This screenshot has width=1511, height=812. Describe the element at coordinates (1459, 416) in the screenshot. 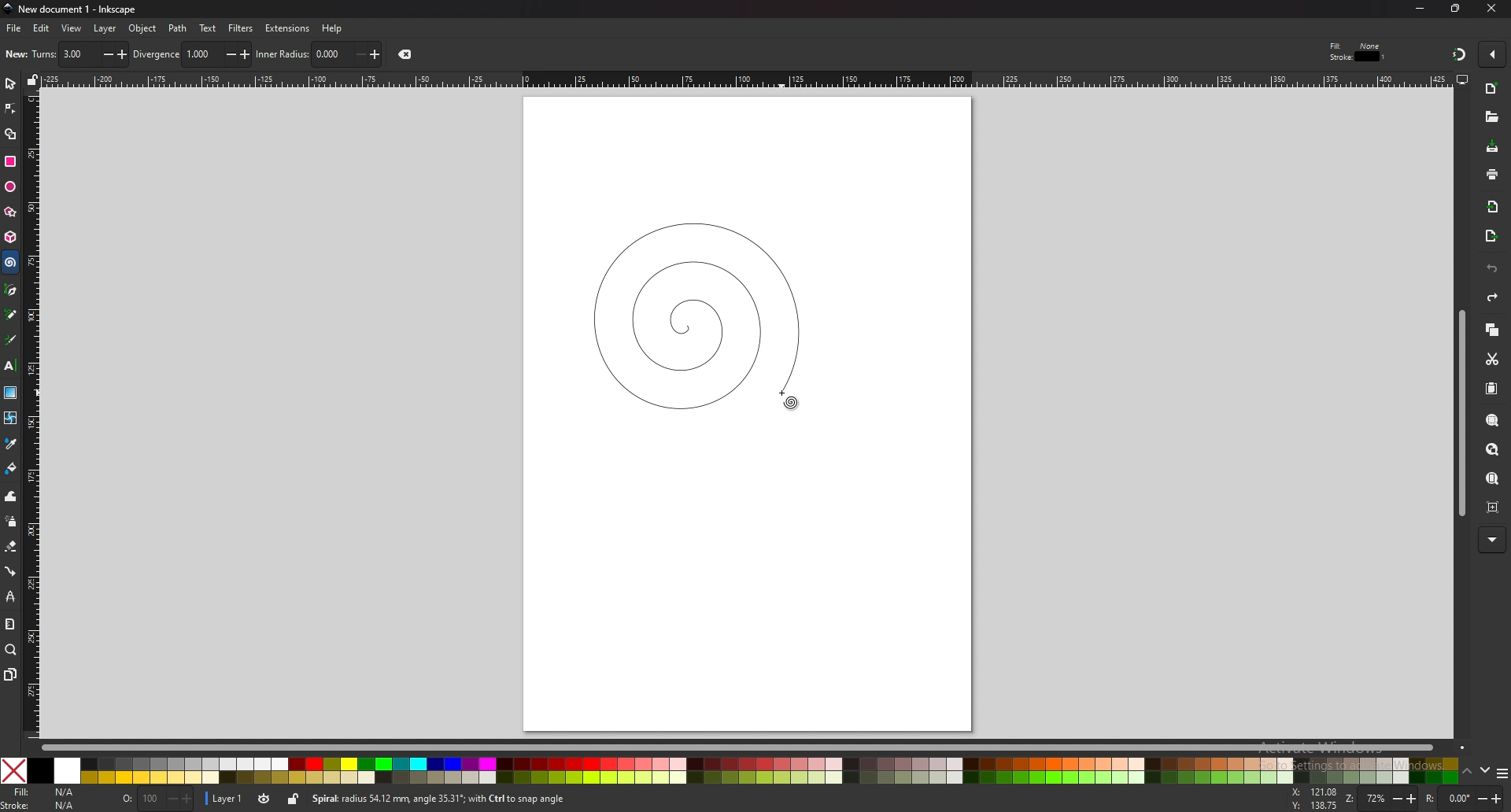

I see `scroll bar` at that location.